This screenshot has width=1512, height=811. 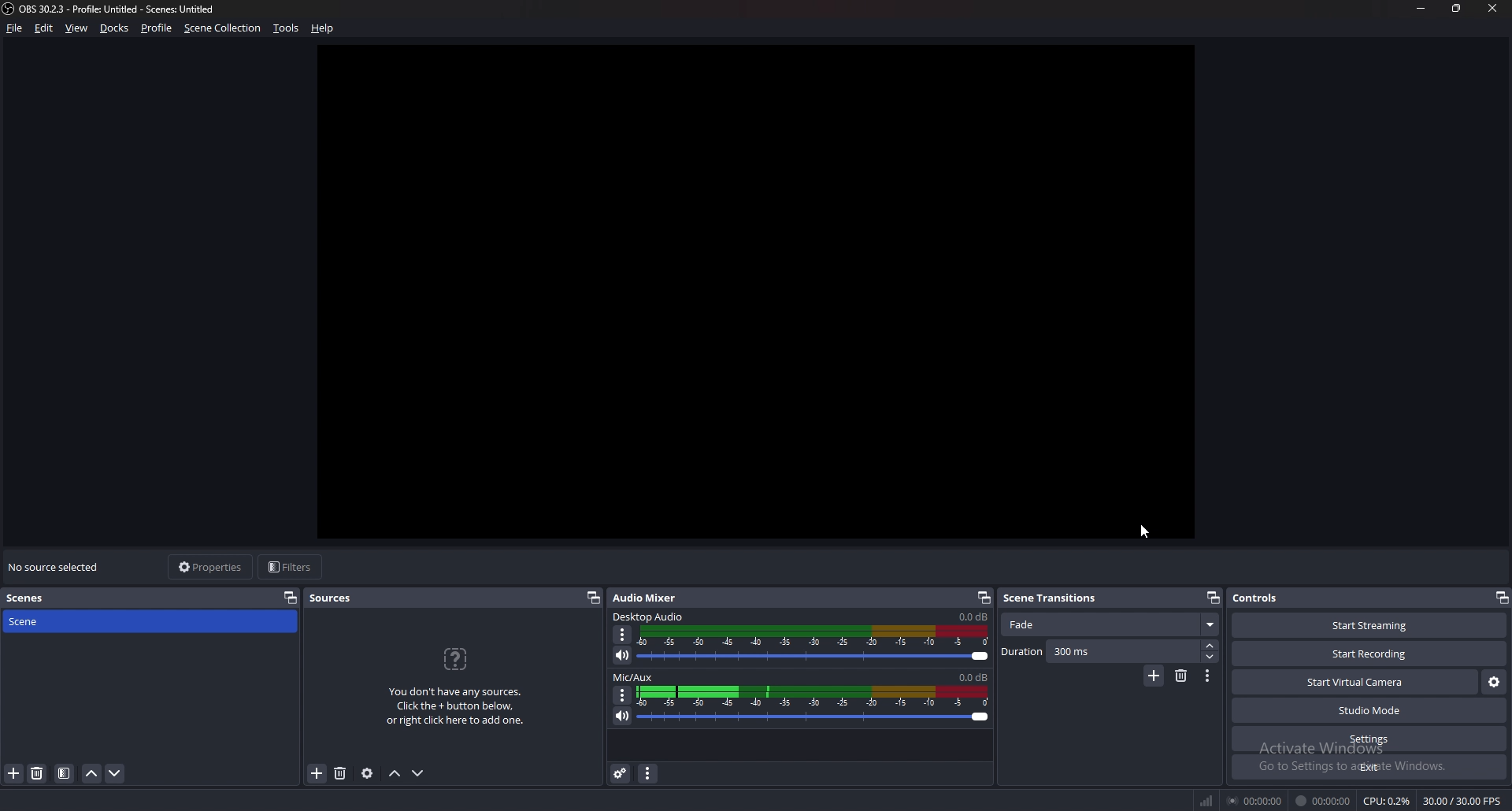 What do you see at coordinates (648, 598) in the screenshot?
I see `audio mixer` at bounding box center [648, 598].